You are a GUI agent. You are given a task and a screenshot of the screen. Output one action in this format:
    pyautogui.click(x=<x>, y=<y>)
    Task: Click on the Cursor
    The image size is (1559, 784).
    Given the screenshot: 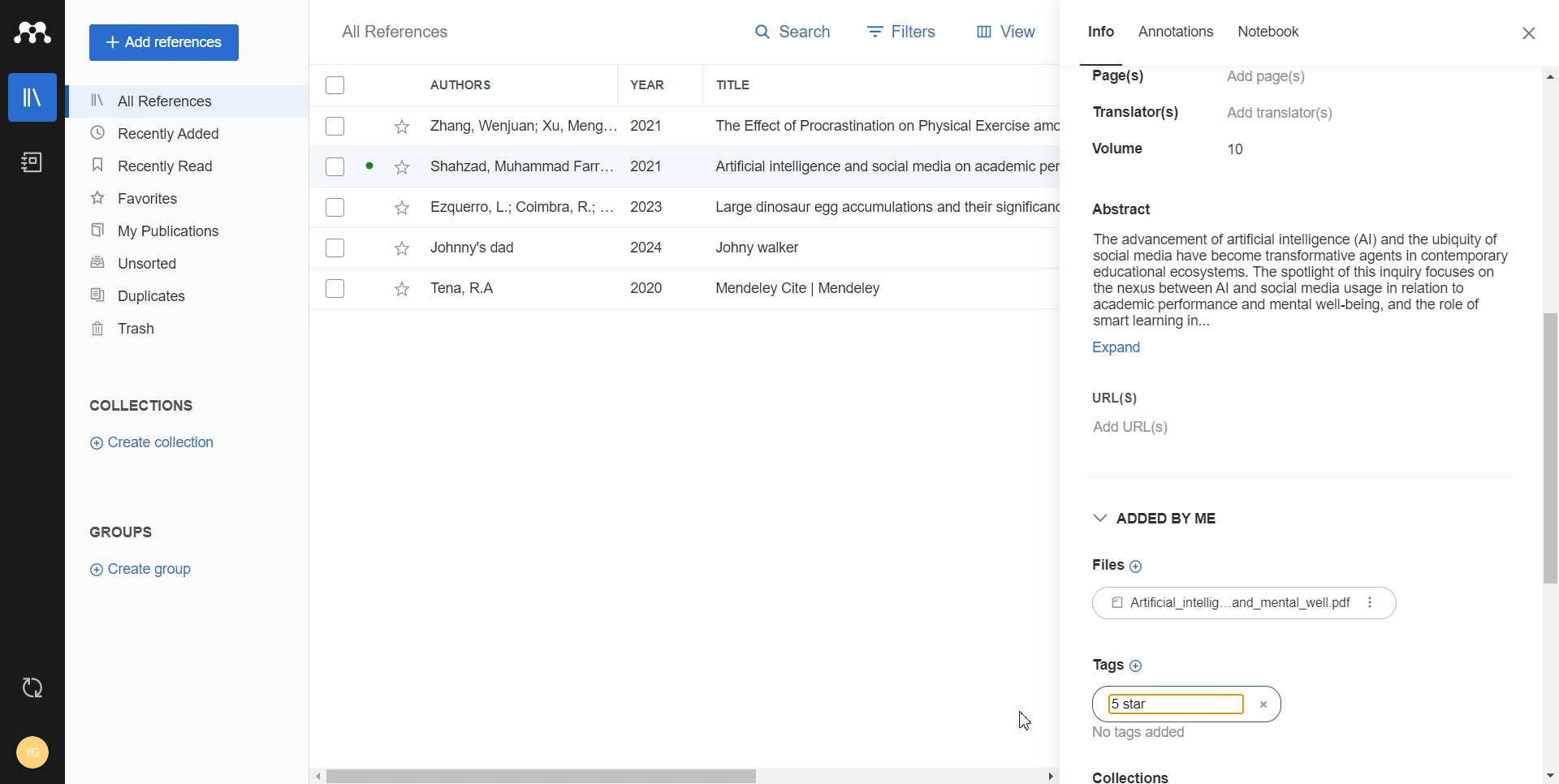 What is the action you would take?
    pyautogui.click(x=1026, y=720)
    